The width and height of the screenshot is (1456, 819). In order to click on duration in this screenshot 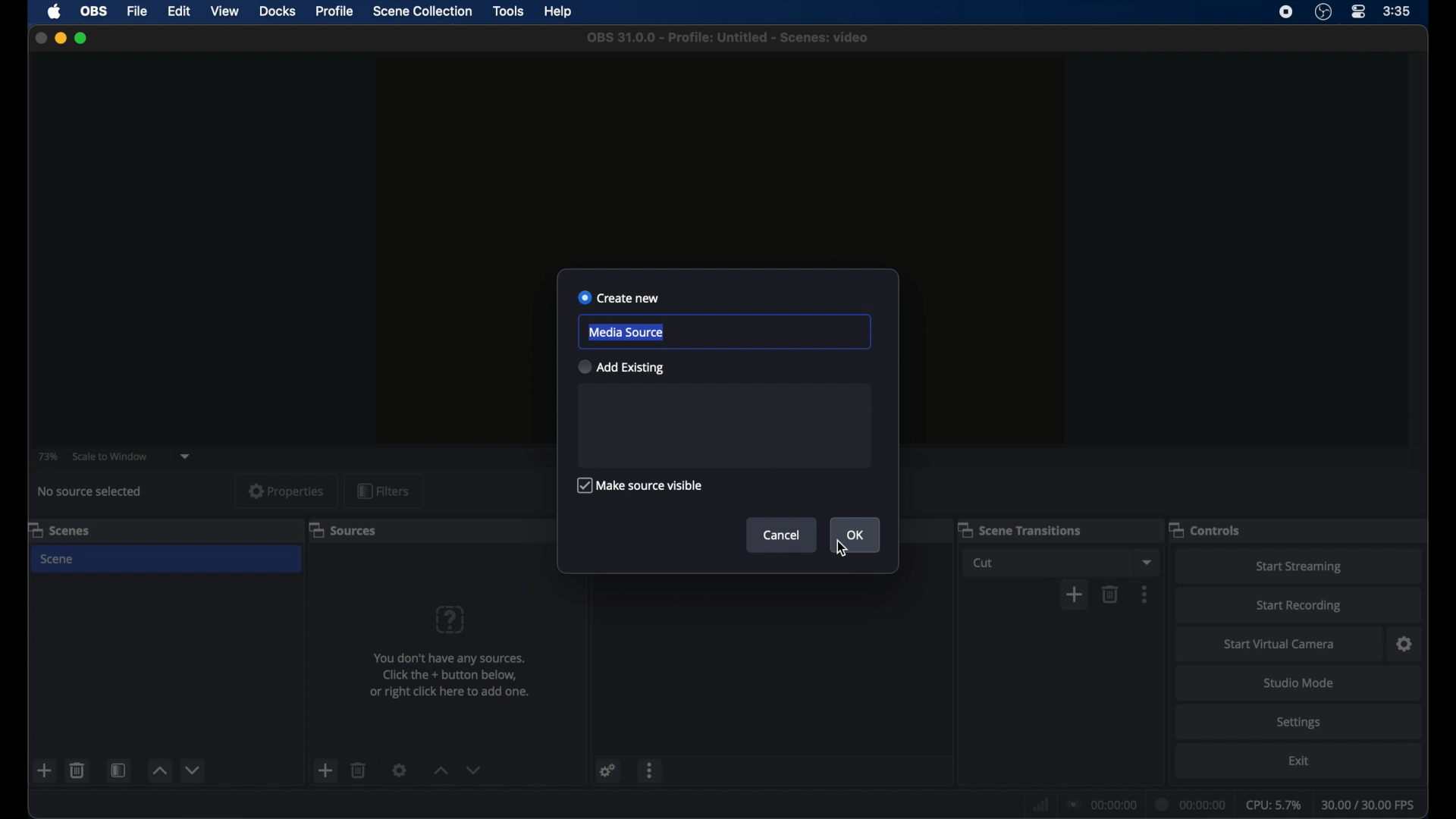, I will do `click(1191, 804)`.